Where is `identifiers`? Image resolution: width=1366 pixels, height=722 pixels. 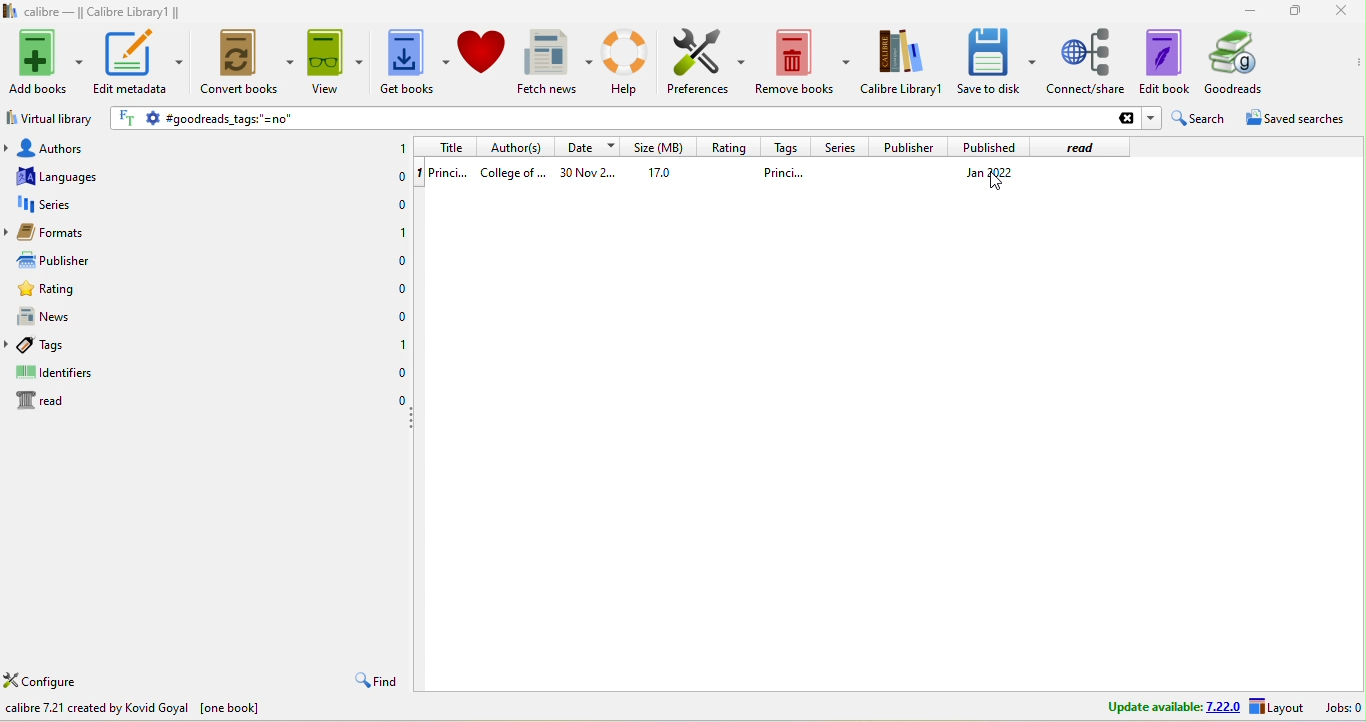 identifiers is located at coordinates (57, 373).